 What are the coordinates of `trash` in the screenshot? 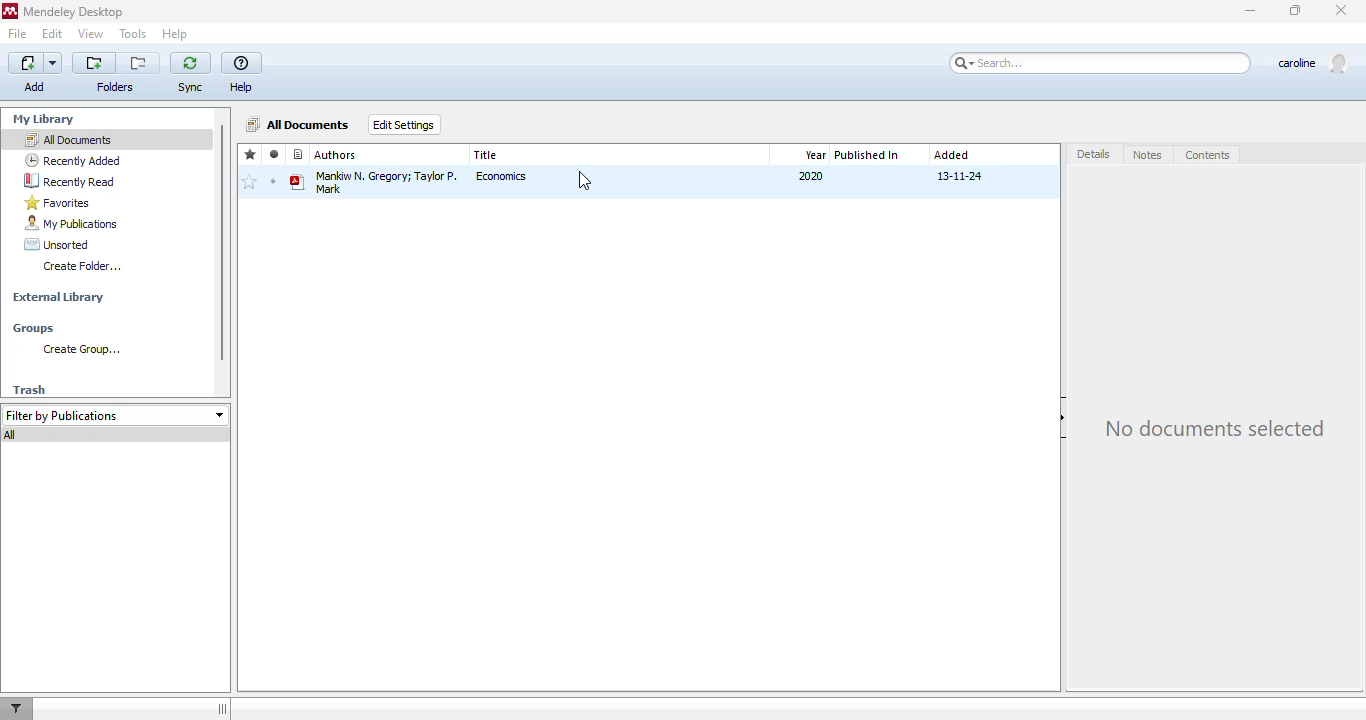 It's located at (31, 389).